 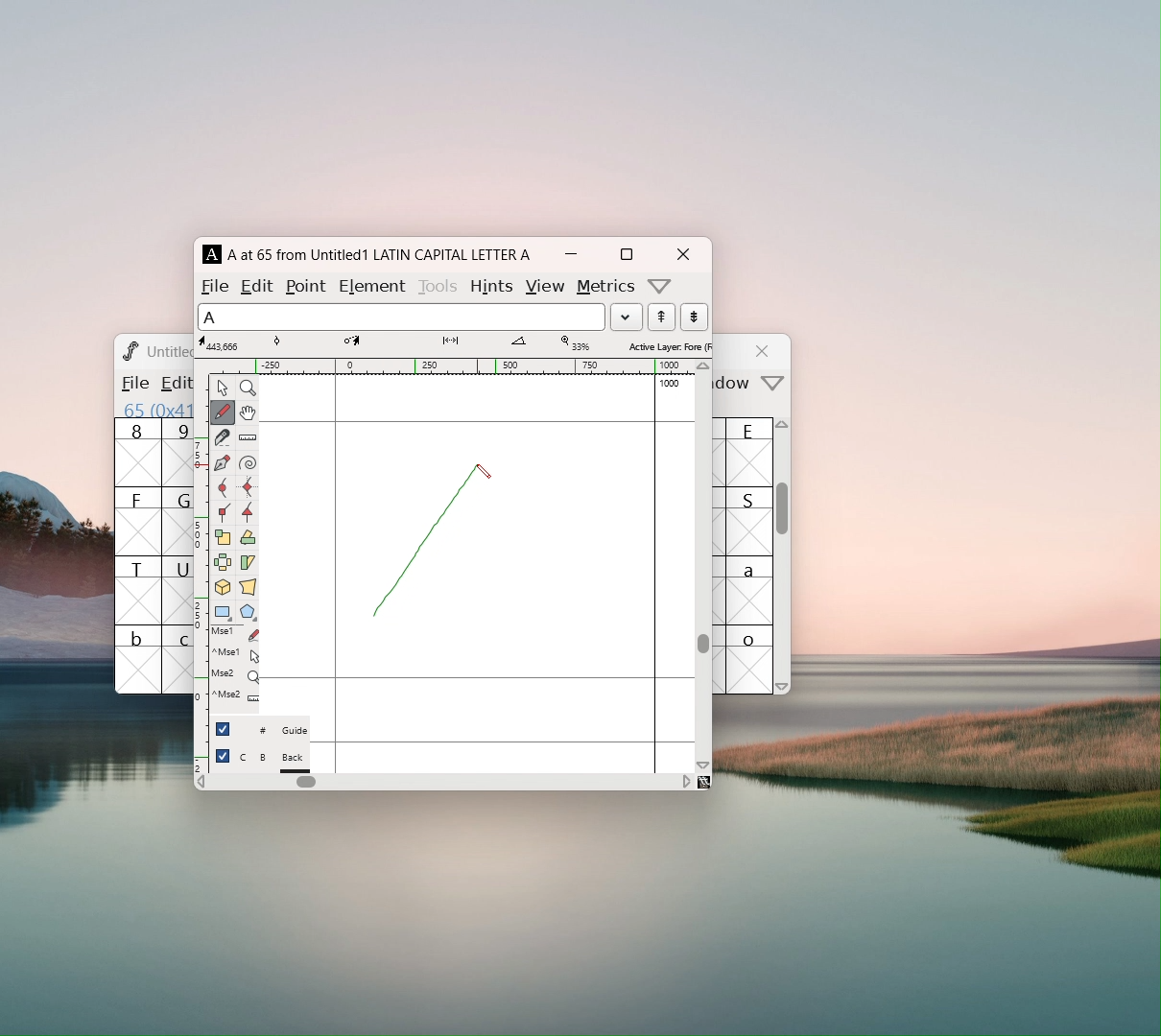 What do you see at coordinates (273, 760) in the screenshot?
I see `C B Back` at bounding box center [273, 760].